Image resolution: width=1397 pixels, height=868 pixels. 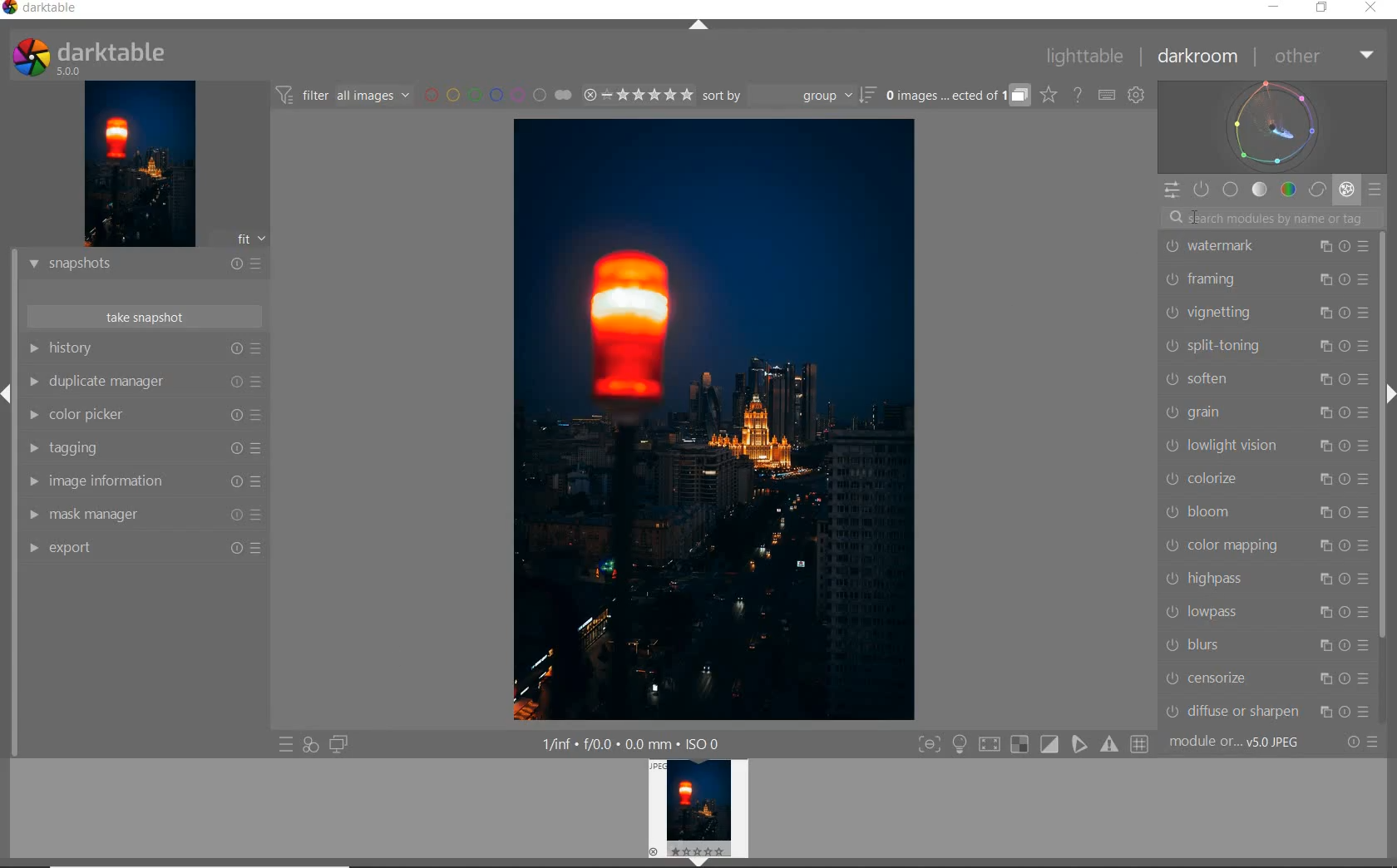 What do you see at coordinates (1323, 279) in the screenshot?
I see `Multiple instance` at bounding box center [1323, 279].